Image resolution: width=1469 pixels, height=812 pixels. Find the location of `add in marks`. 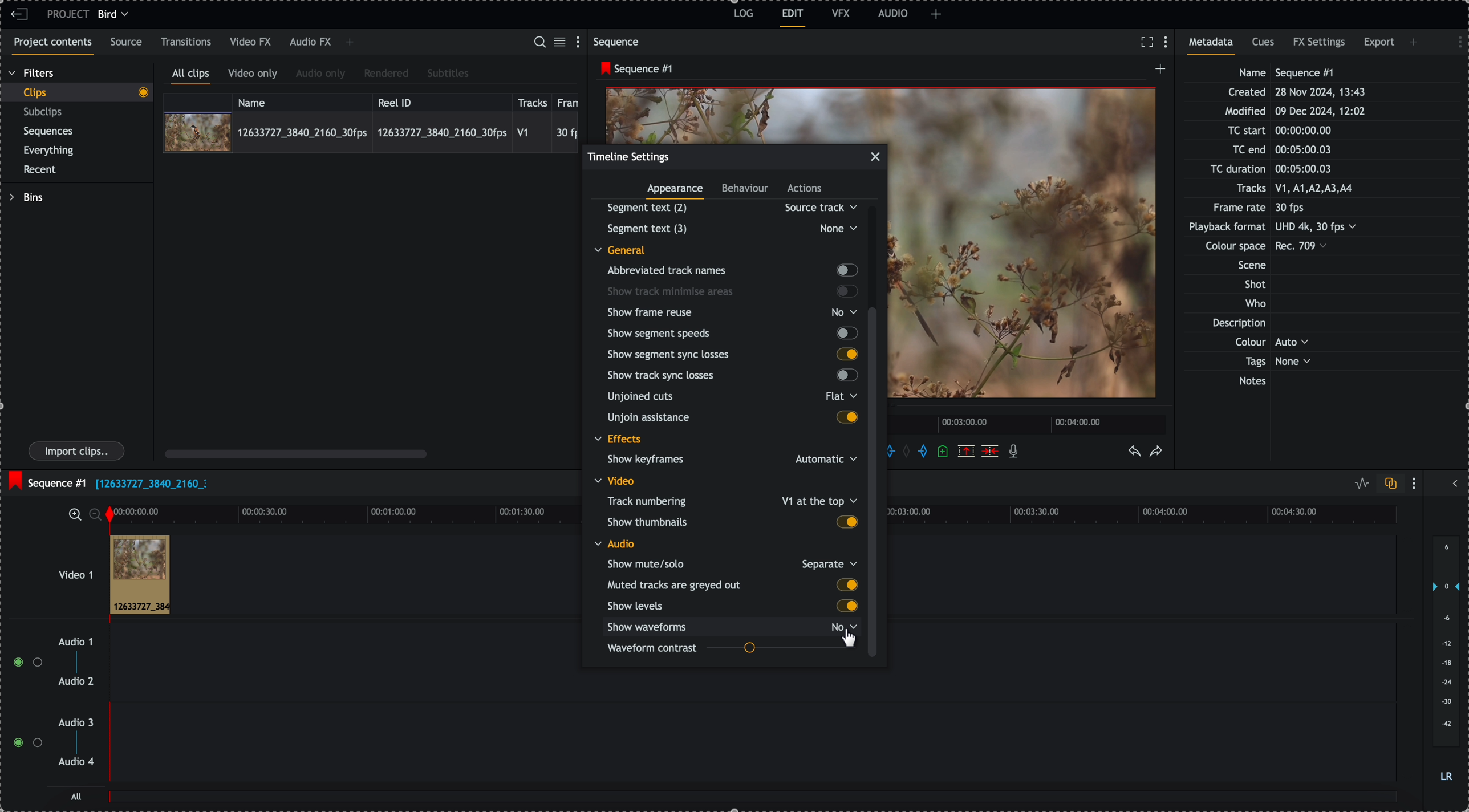

add in marks is located at coordinates (899, 450).